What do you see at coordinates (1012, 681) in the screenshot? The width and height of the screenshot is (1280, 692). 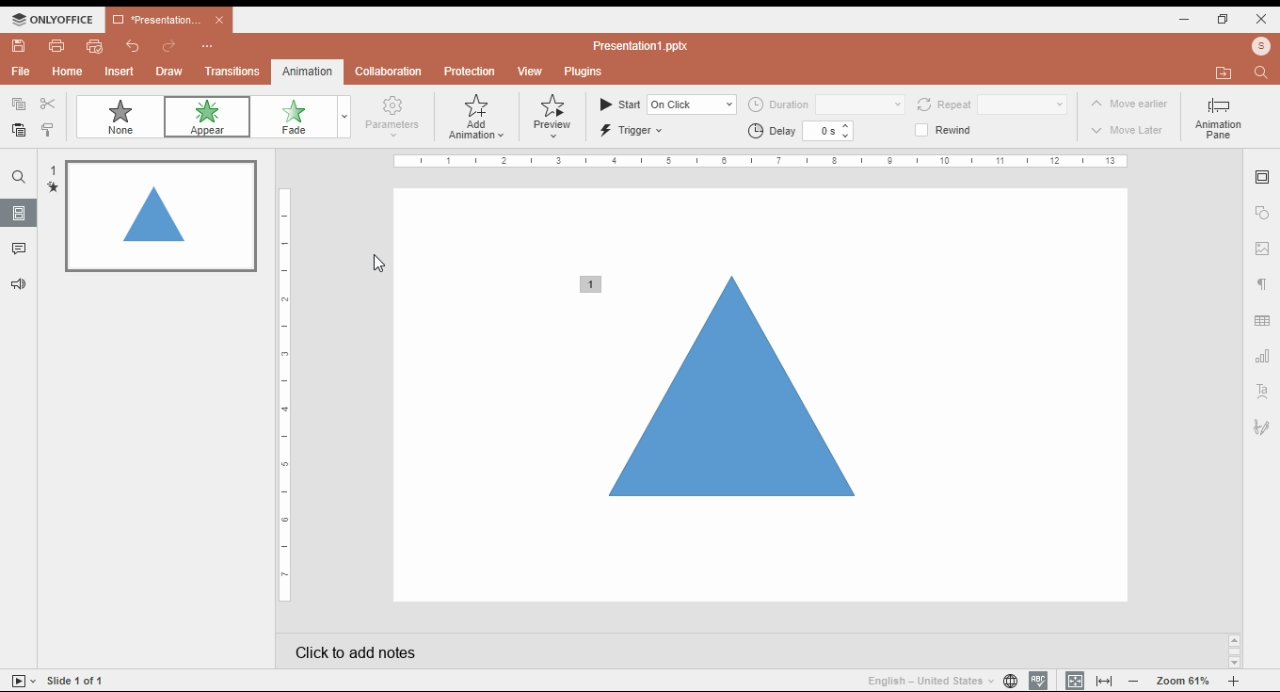 I see `set project language` at bounding box center [1012, 681].